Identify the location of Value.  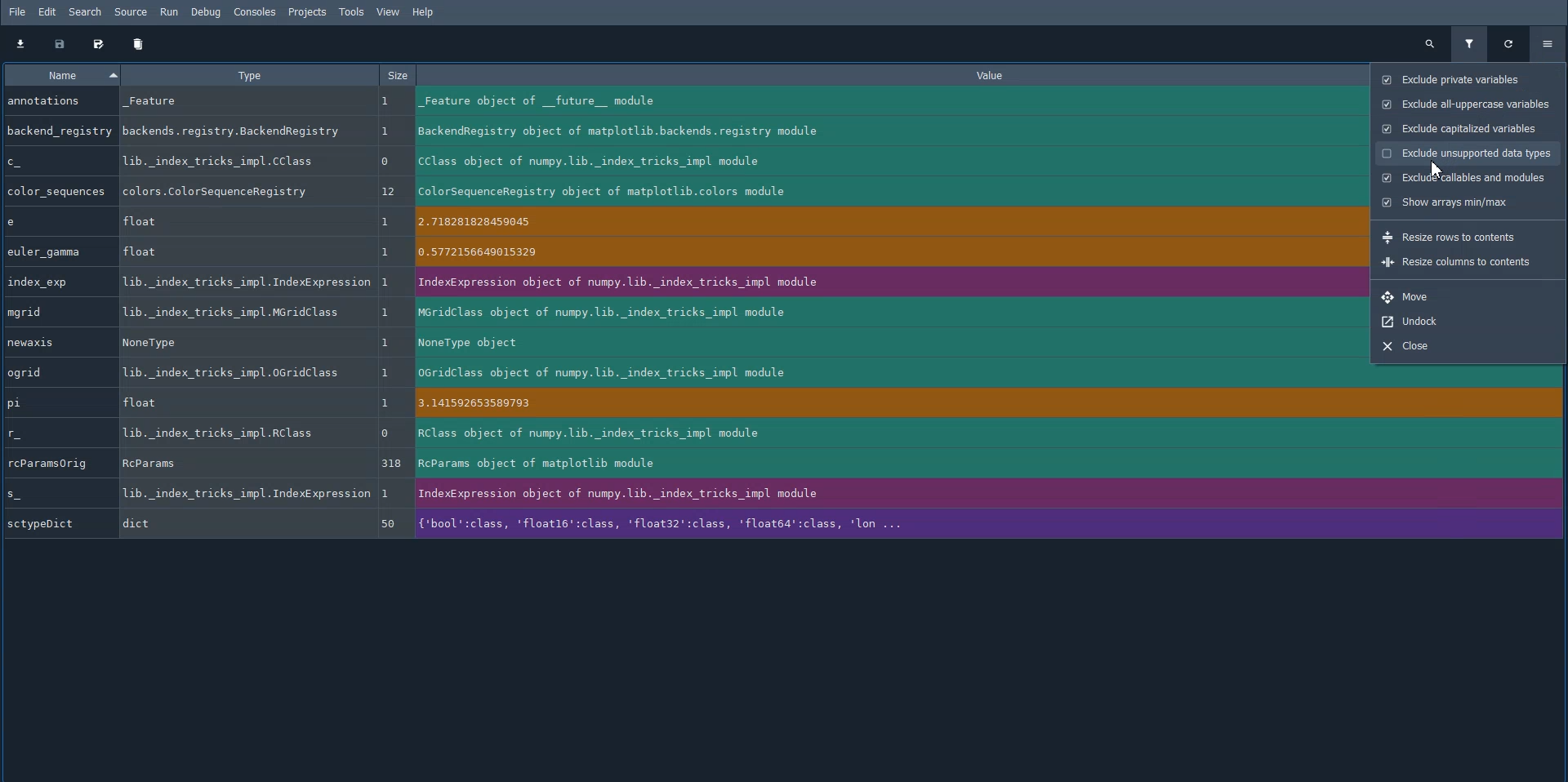
(895, 76).